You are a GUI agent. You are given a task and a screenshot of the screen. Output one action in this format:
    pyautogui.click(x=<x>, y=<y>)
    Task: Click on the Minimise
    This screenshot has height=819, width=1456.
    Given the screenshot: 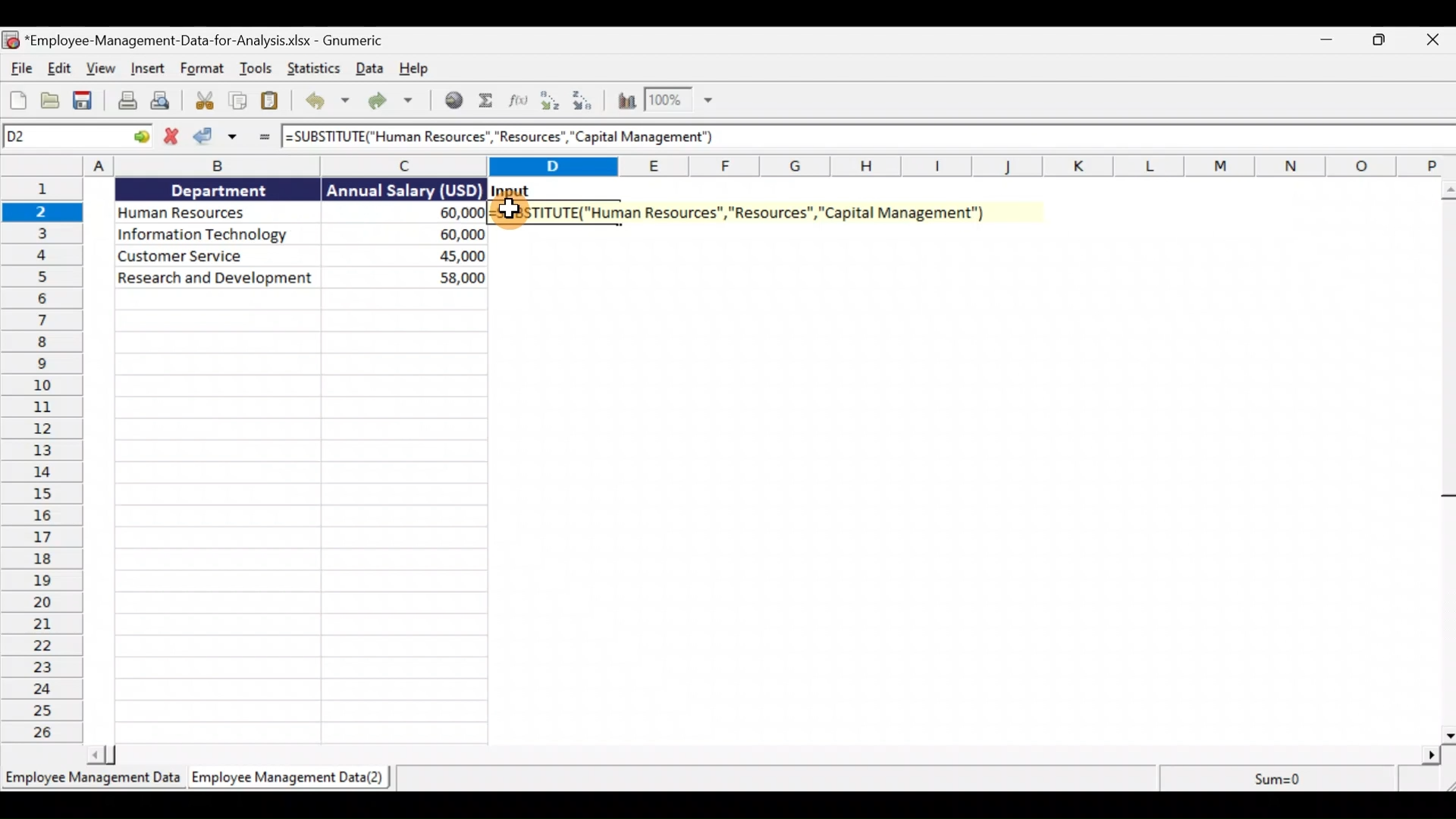 What is the action you would take?
    pyautogui.click(x=1321, y=39)
    